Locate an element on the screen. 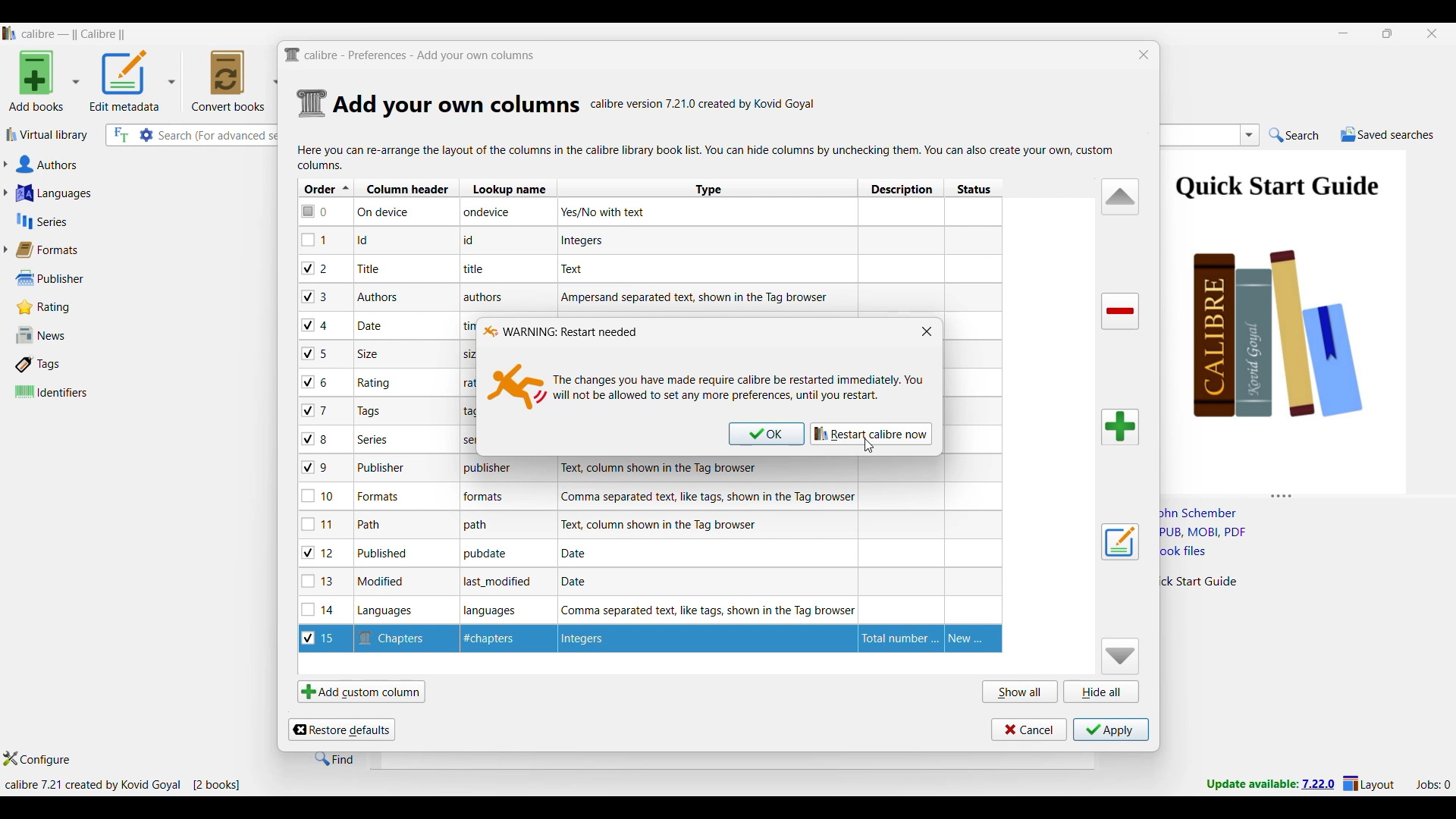 The width and height of the screenshot is (1456, 819). Move row down is located at coordinates (1121, 656).